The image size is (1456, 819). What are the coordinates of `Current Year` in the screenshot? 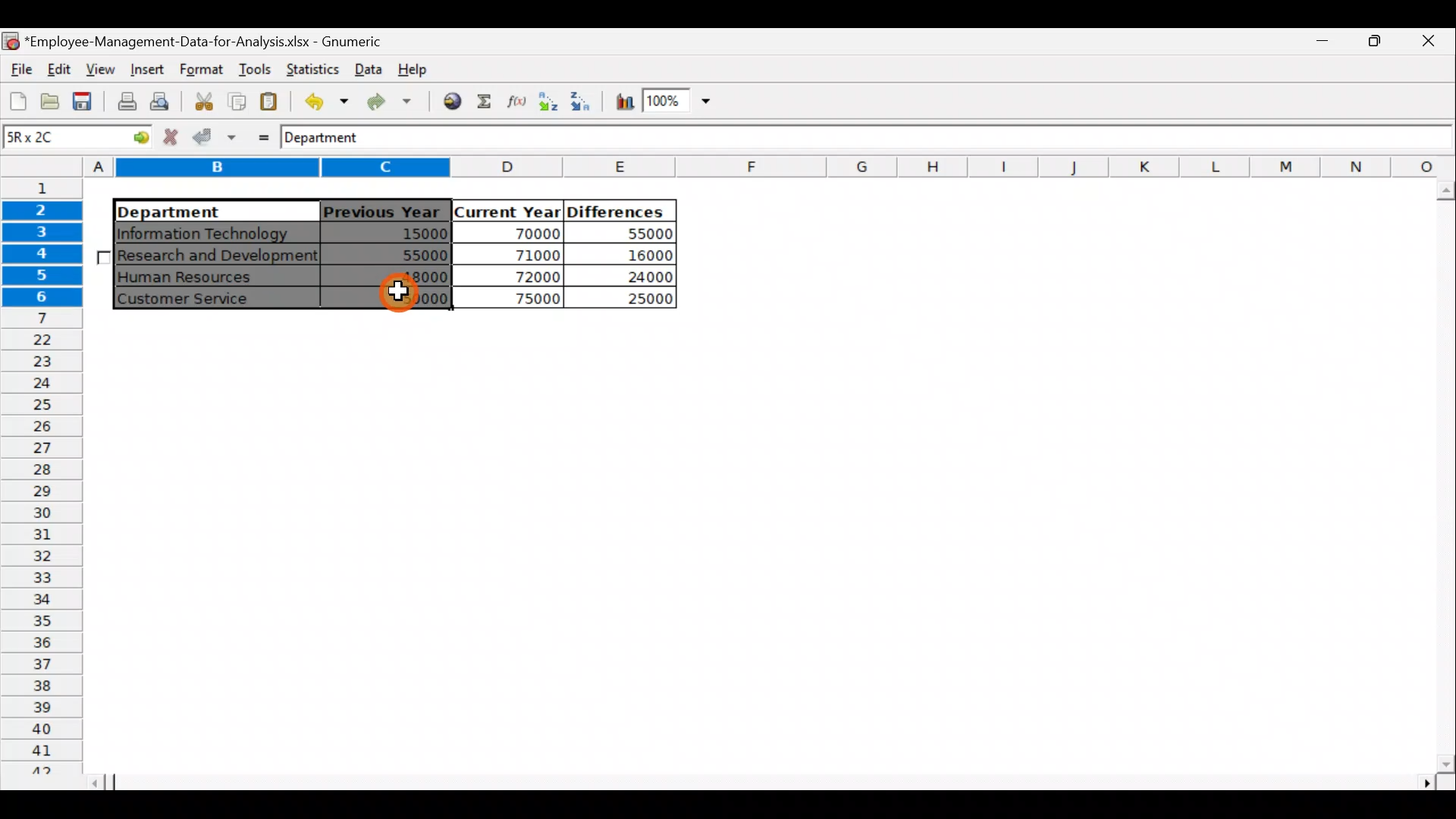 It's located at (506, 210).